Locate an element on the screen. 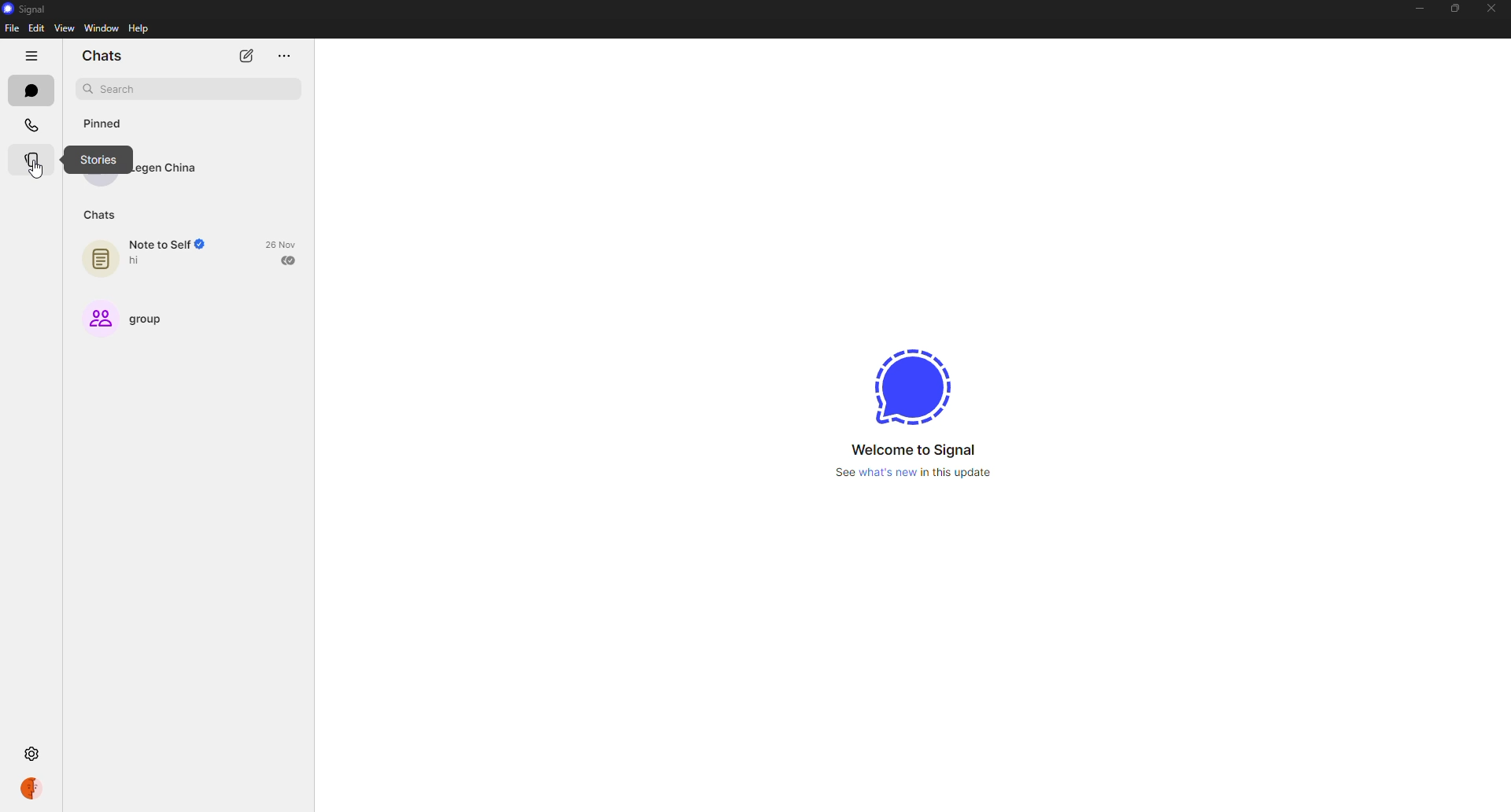 The width and height of the screenshot is (1511, 812). cursor is located at coordinates (38, 169).